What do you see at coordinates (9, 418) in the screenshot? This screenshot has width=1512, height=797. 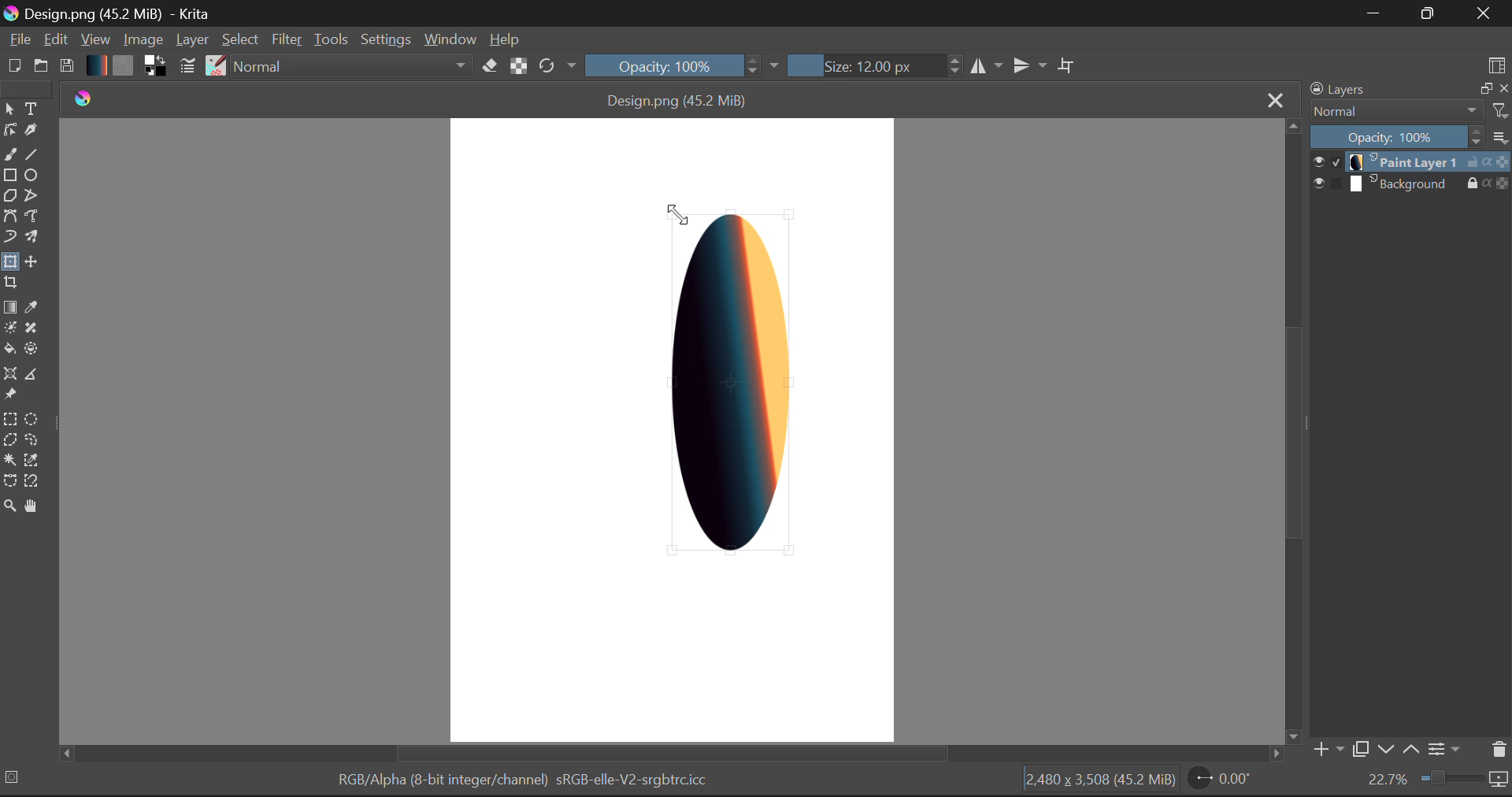 I see `Rectangular Selection` at bounding box center [9, 418].